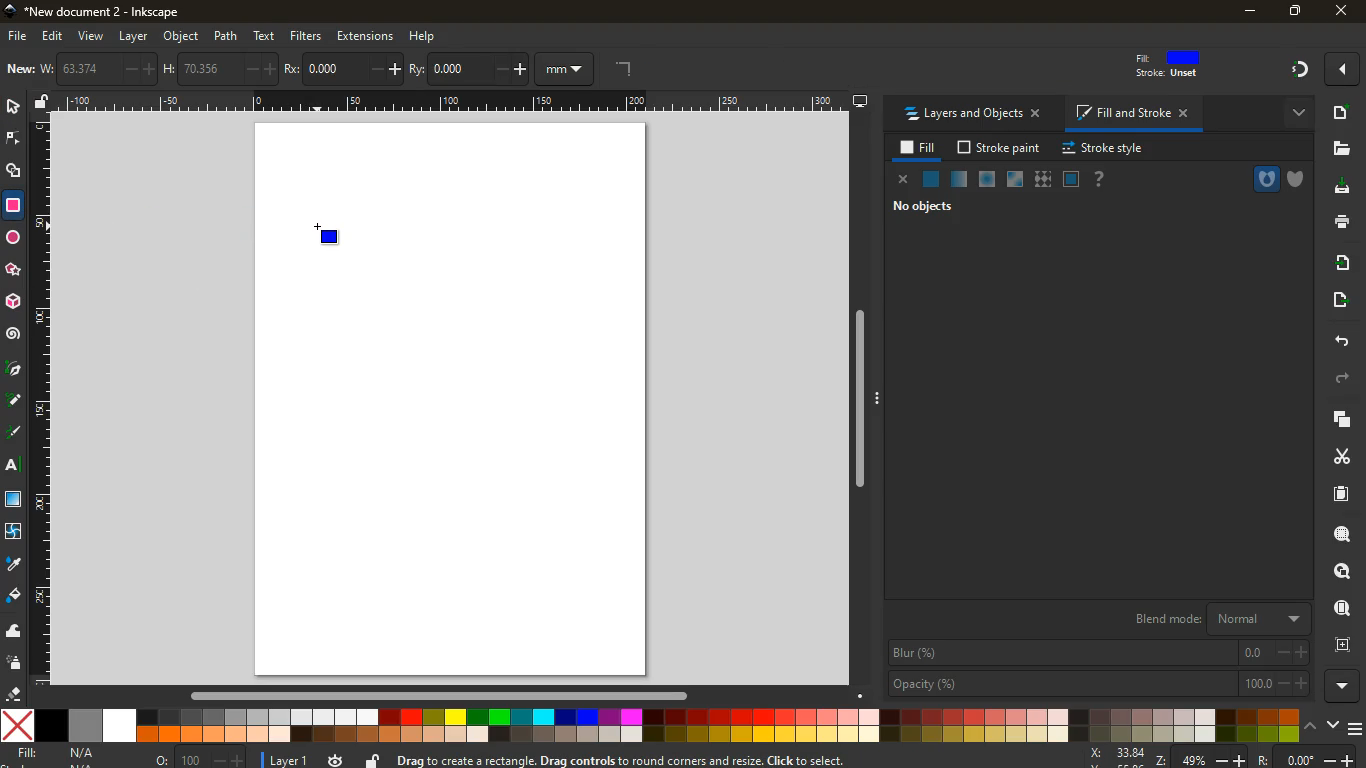 The width and height of the screenshot is (1366, 768). Describe the element at coordinates (1336, 301) in the screenshot. I see `send` at that location.